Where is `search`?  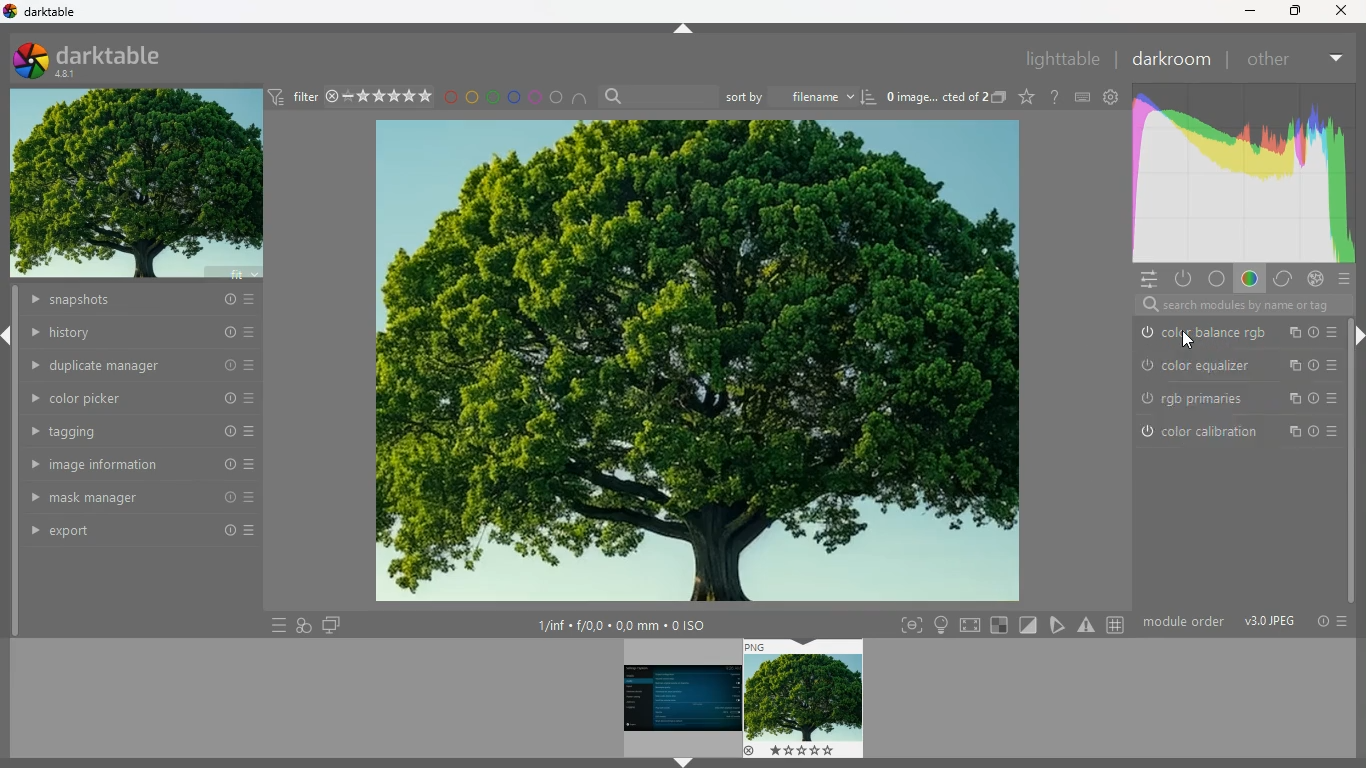 search is located at coordinates (657, 97).